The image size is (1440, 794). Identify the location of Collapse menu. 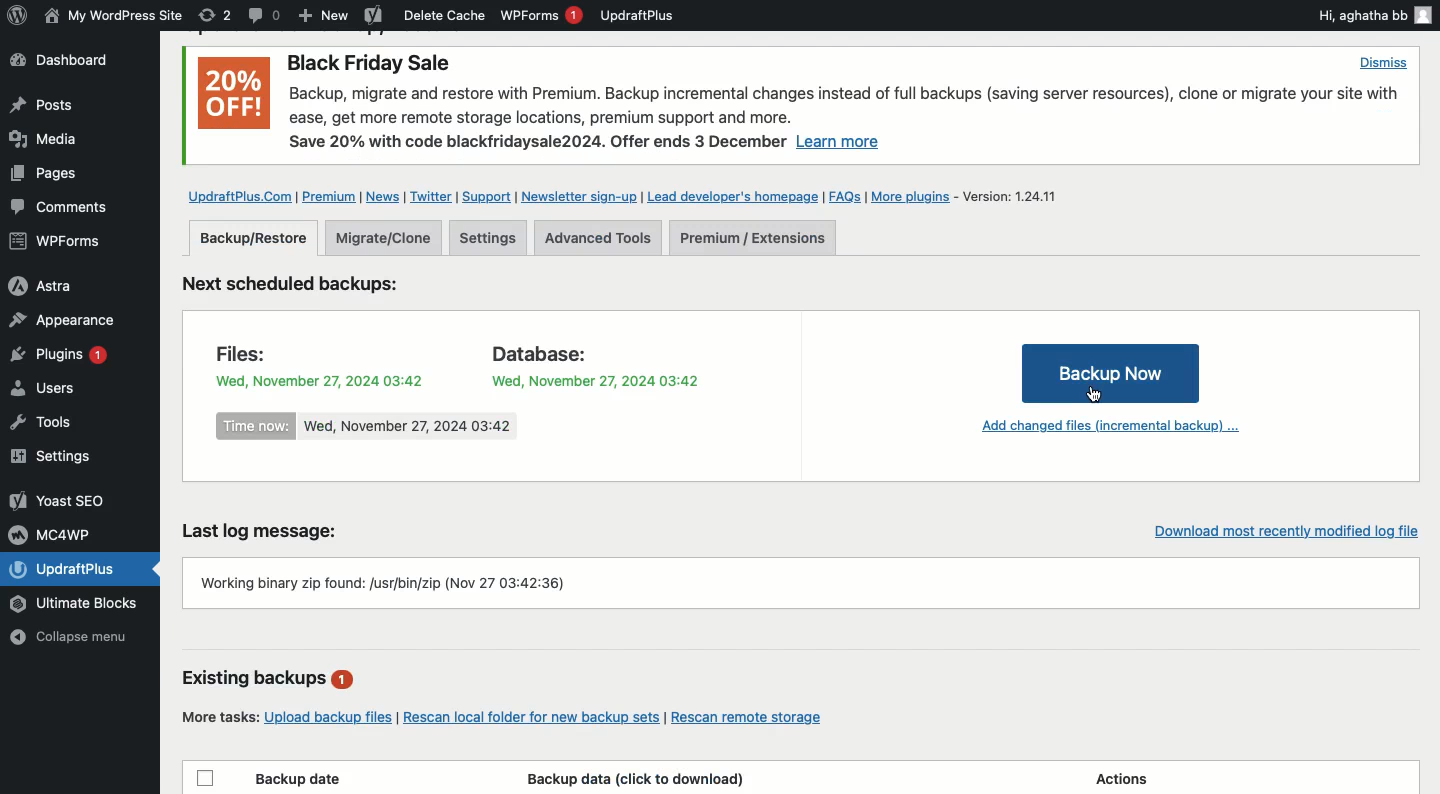
(82, 637).